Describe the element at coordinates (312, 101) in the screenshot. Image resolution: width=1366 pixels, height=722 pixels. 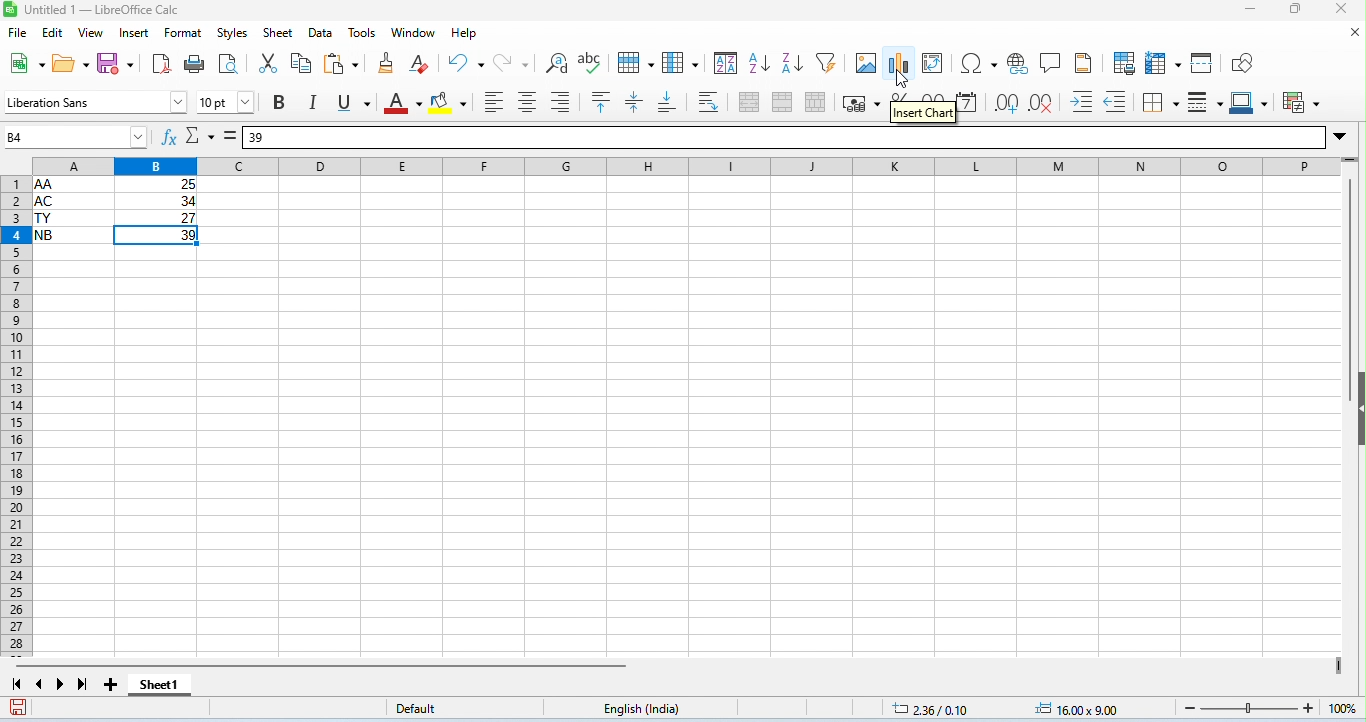
I see `italics` at that location.